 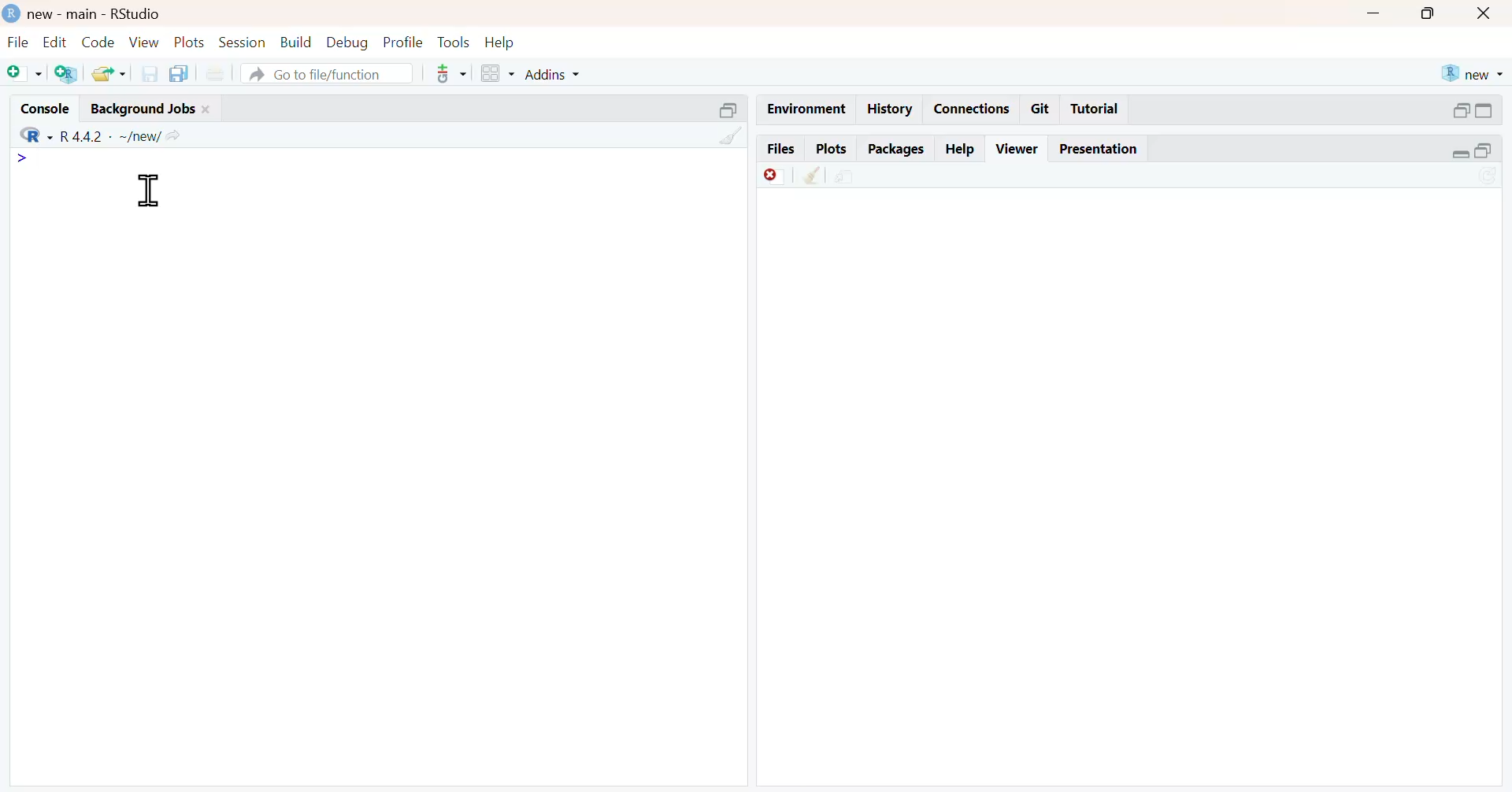 What do you see at coordinates (66, 75) in the screenshot?
I see `create a project` at bounding box center [66, 75].